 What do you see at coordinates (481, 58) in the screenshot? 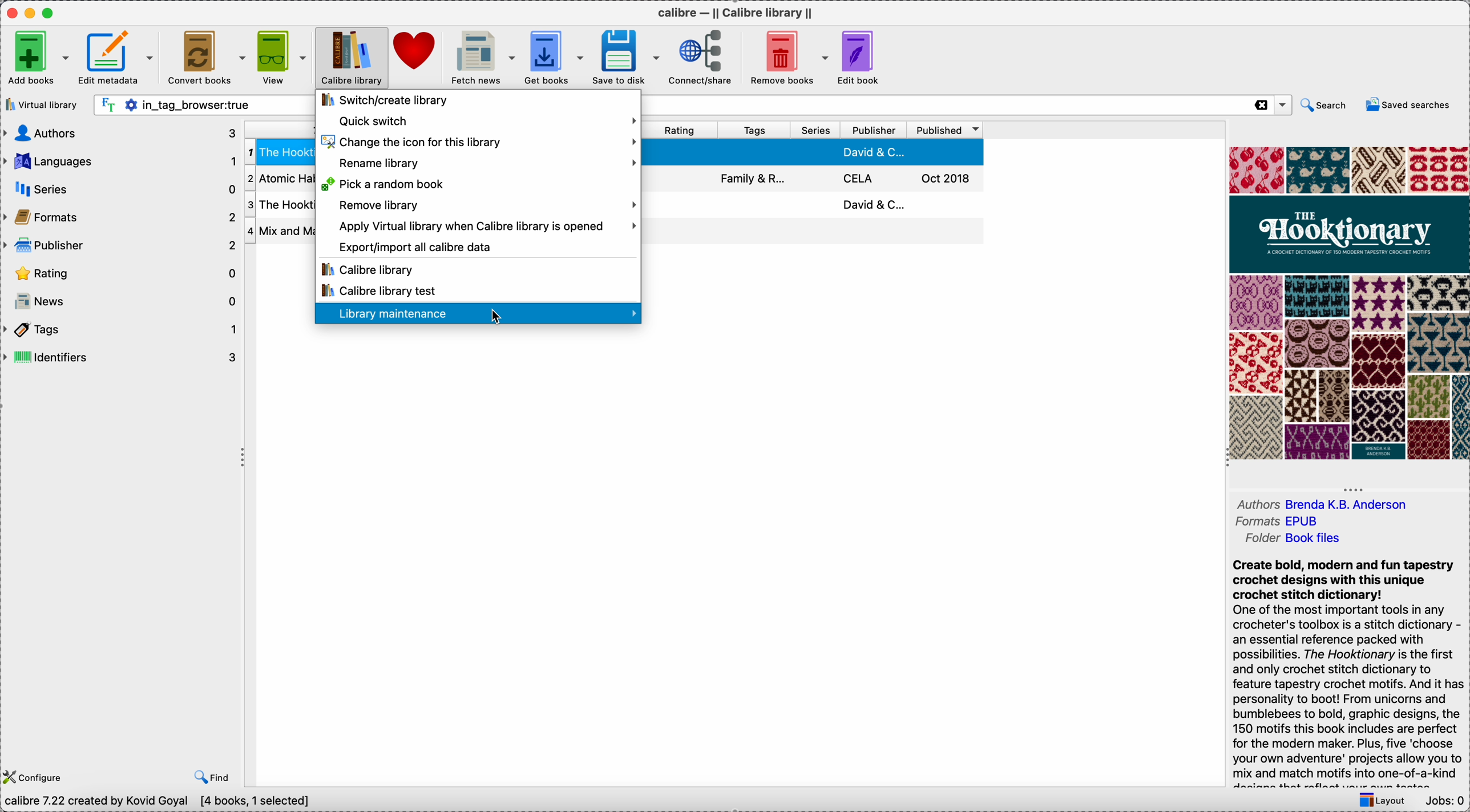
I see `fetch news` at bounding box center [481, 58].